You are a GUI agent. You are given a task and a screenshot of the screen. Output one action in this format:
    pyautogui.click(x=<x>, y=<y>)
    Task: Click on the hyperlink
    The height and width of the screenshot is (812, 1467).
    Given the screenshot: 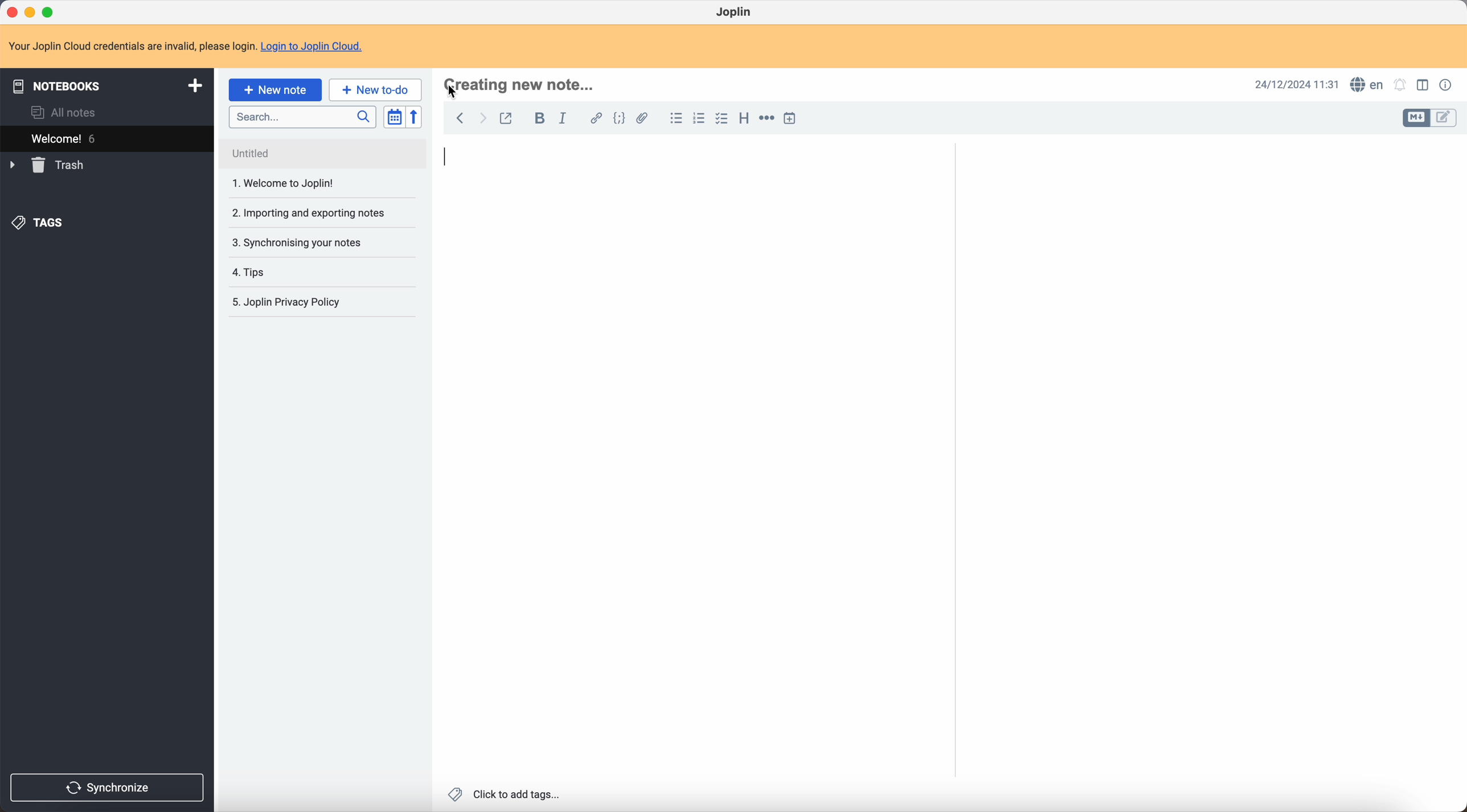 What is the action you would take?
    pyautogui.click(x=595, y=118)
    